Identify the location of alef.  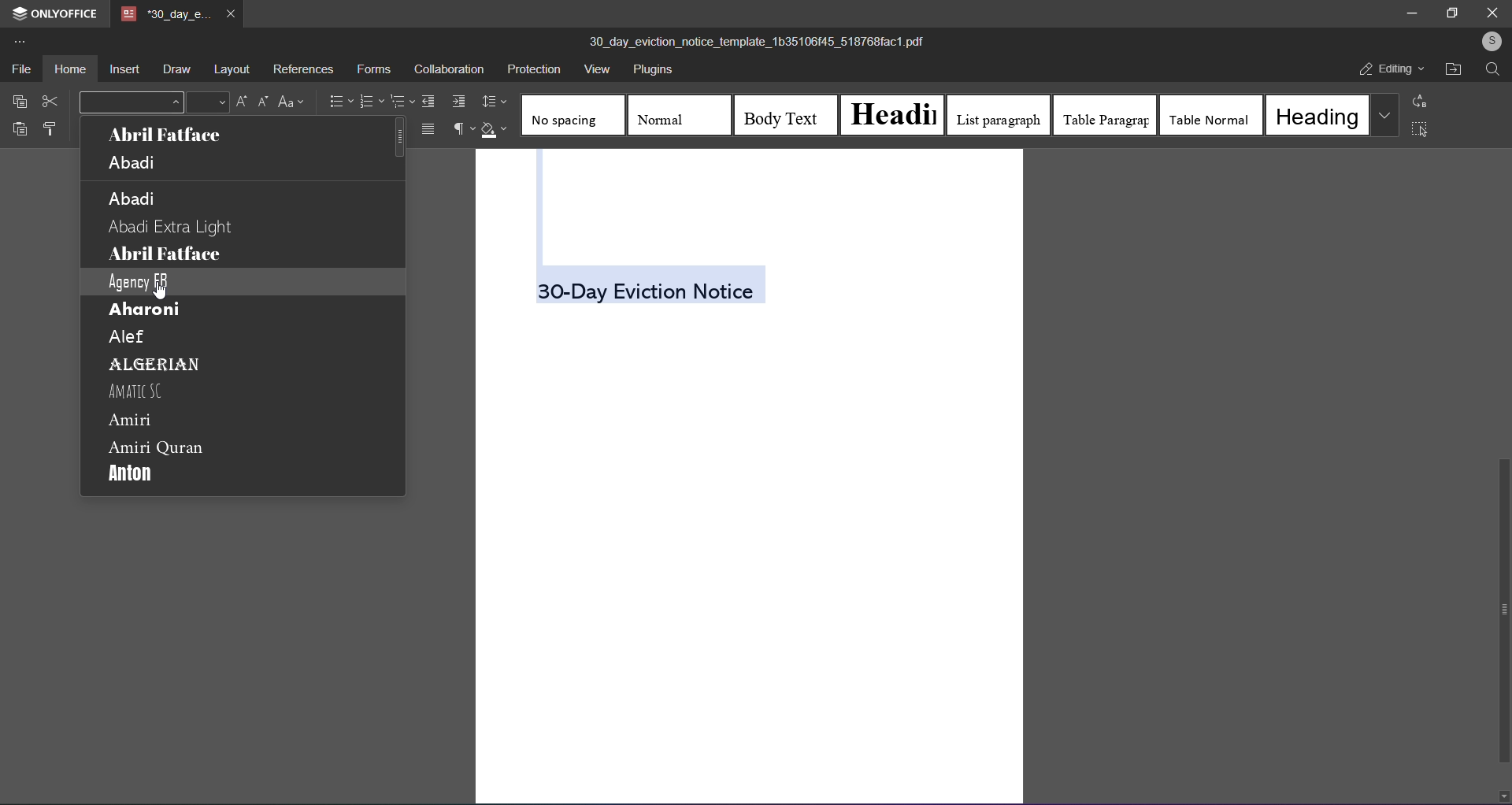
(131, 339).